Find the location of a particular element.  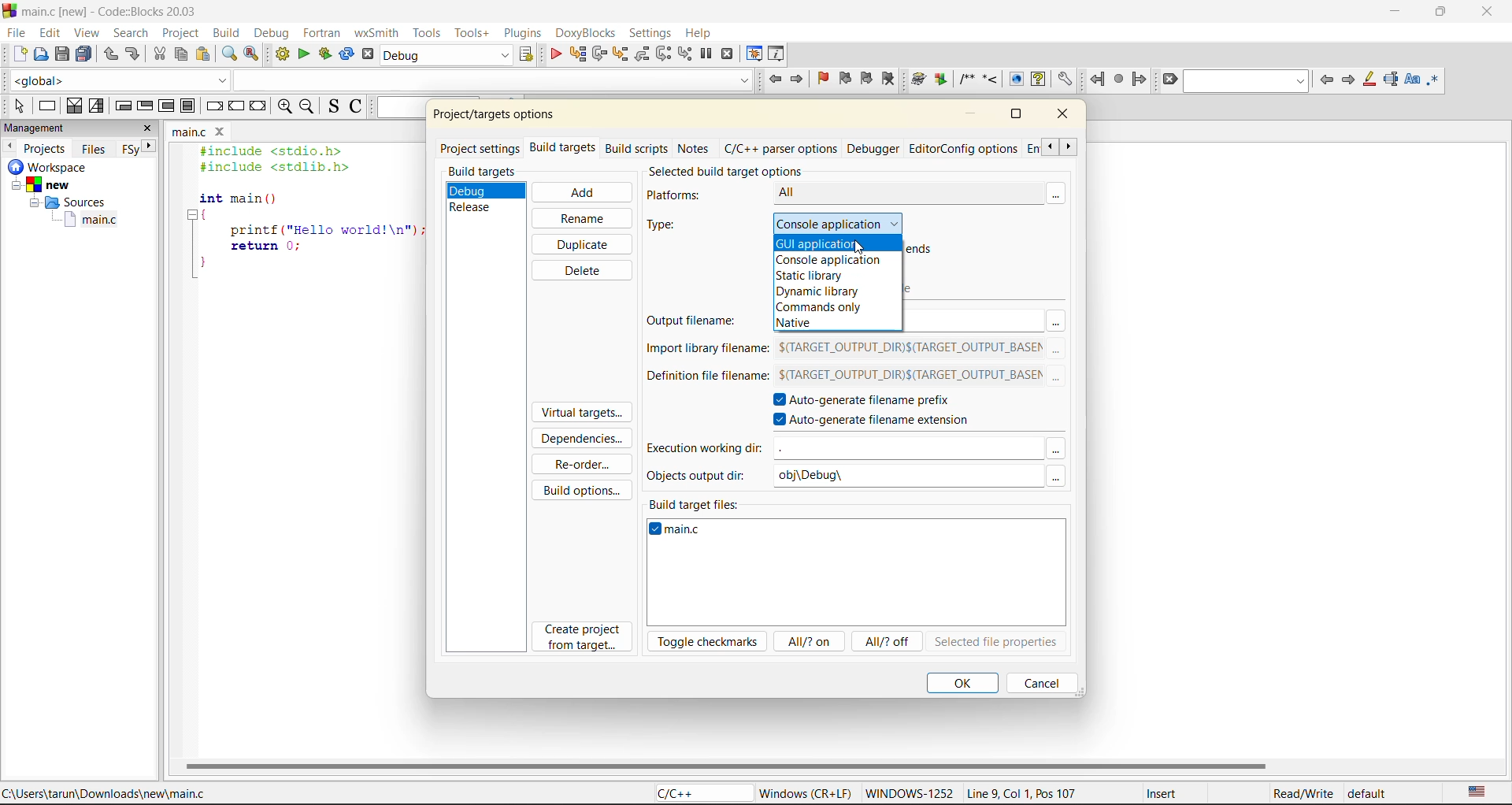

dependencies is located at coordinates (584, 436).